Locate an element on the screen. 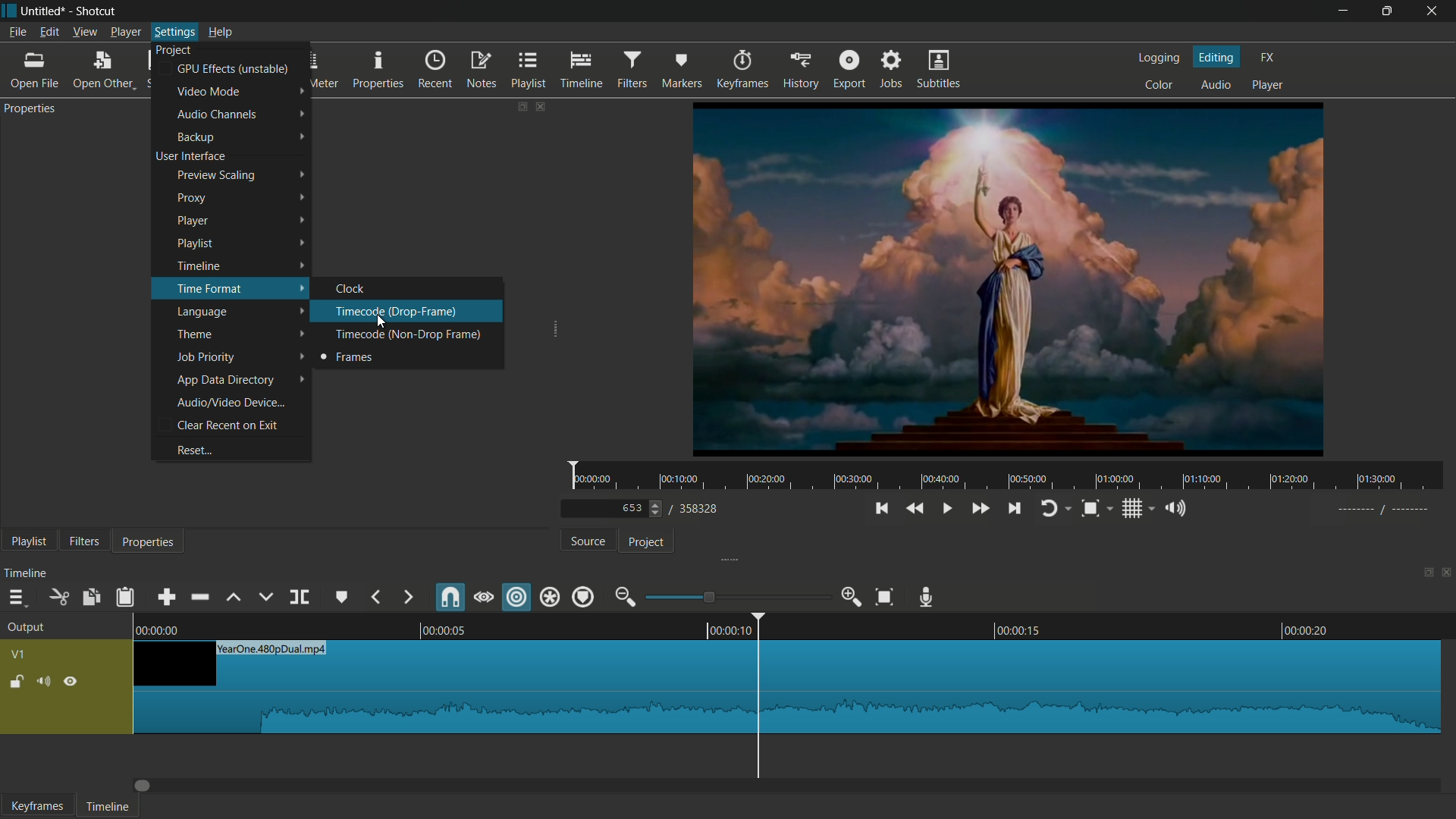 Image resolution: width=1456 pixels, height=819 pixels. lift is located at coordinates (234, 596).